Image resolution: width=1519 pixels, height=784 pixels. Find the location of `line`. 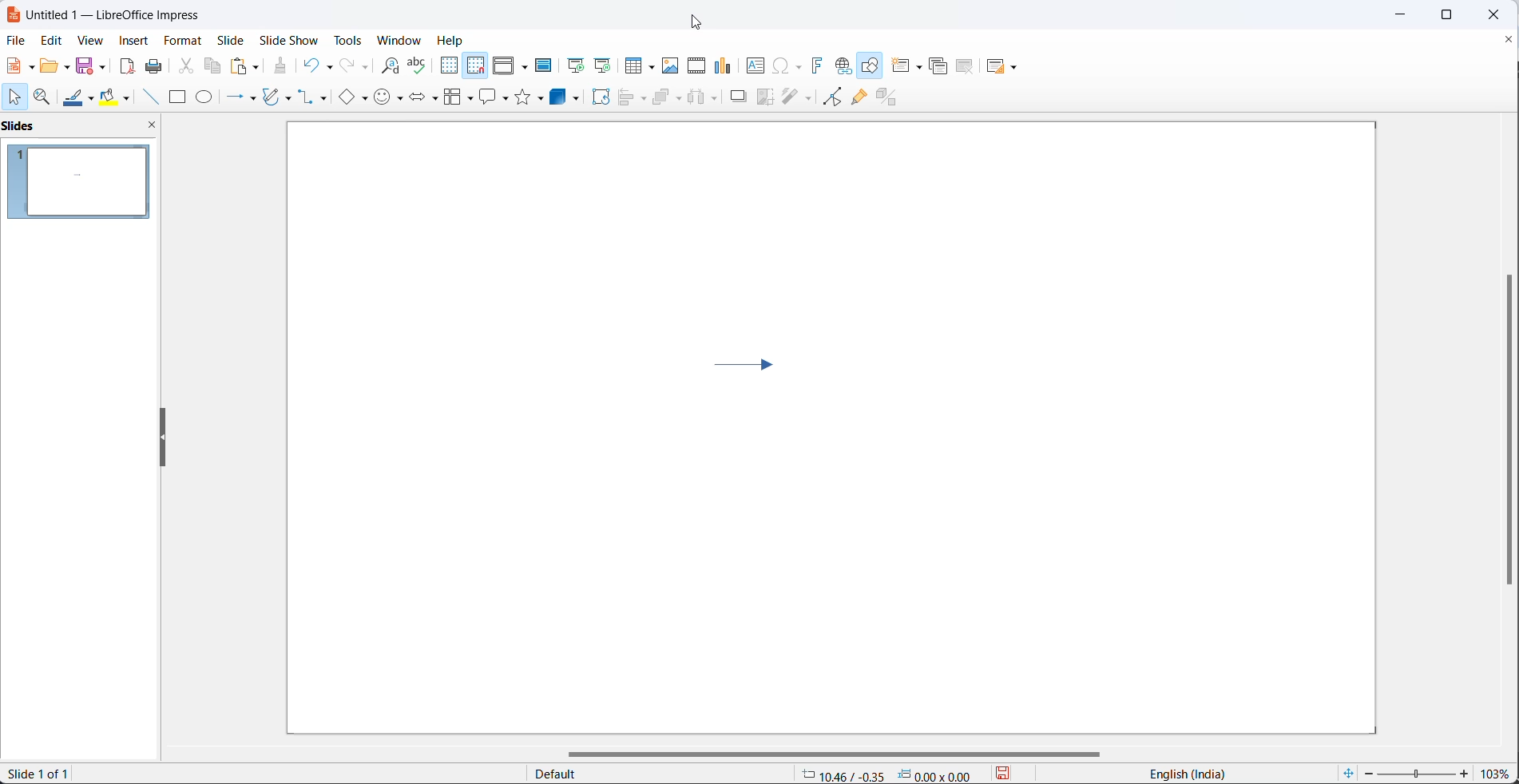

line is located at coordinates (147, 97).